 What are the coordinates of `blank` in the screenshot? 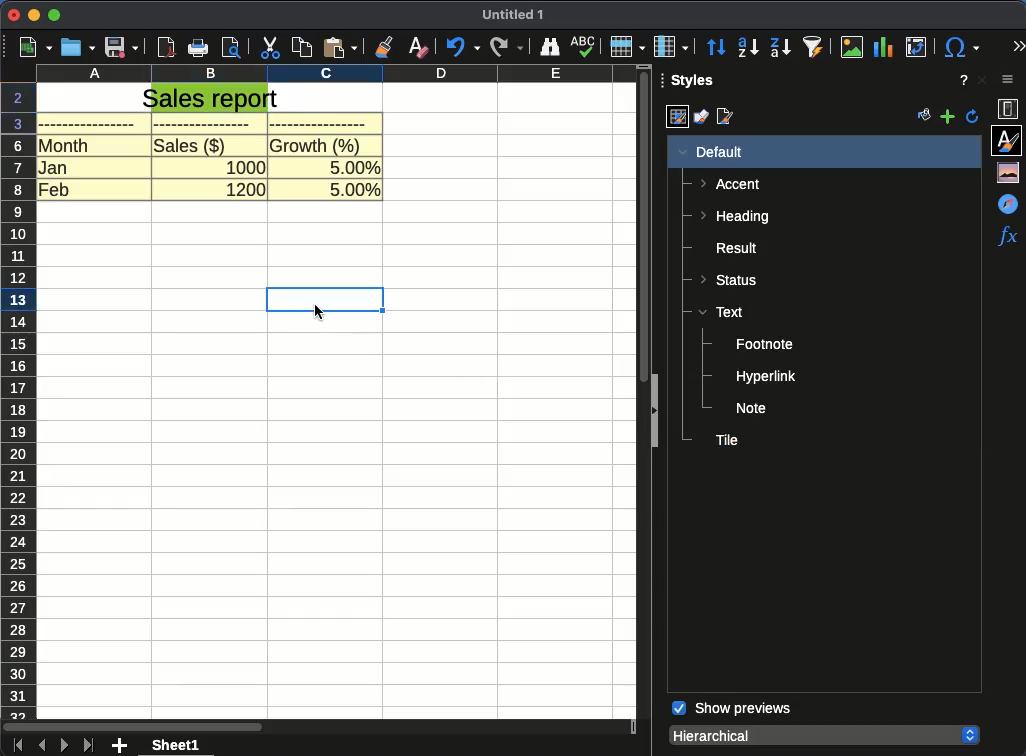 It's located at (208, 124).